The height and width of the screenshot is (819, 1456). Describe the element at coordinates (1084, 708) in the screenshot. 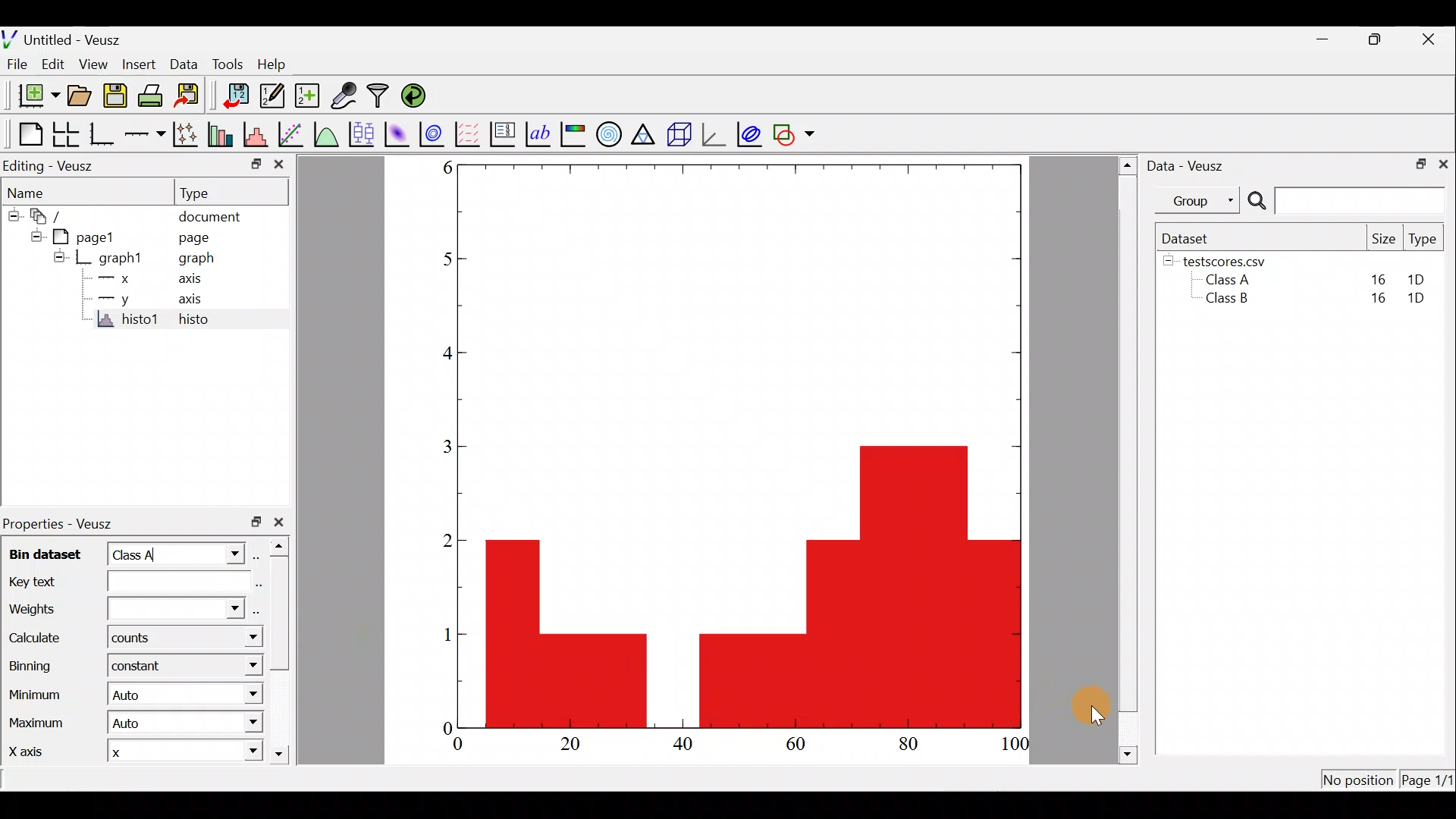

I see `Cursor` at that location.